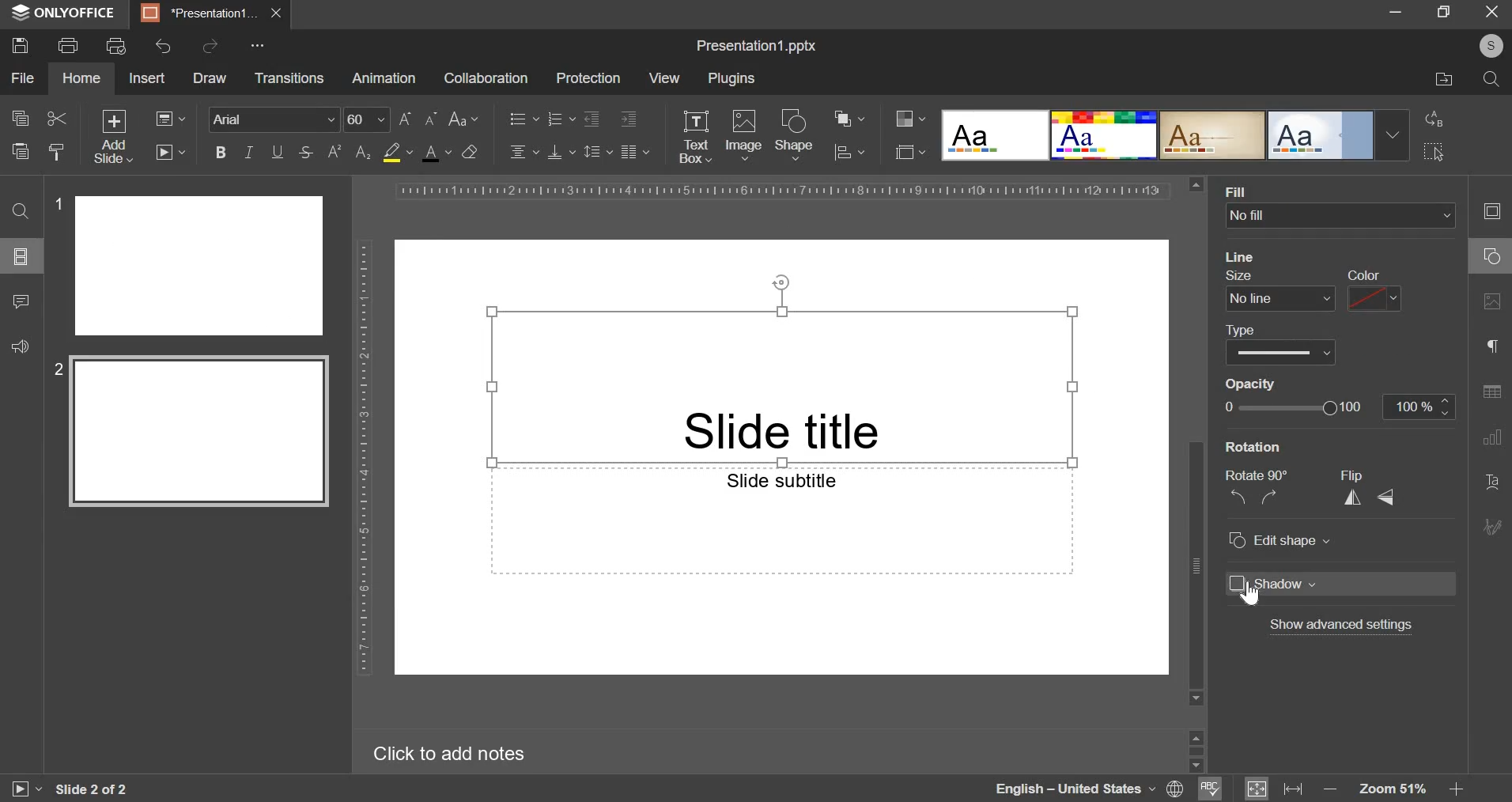  Describe the element at coordinates (275, 118) in the screenshot. I see `font` at that location.